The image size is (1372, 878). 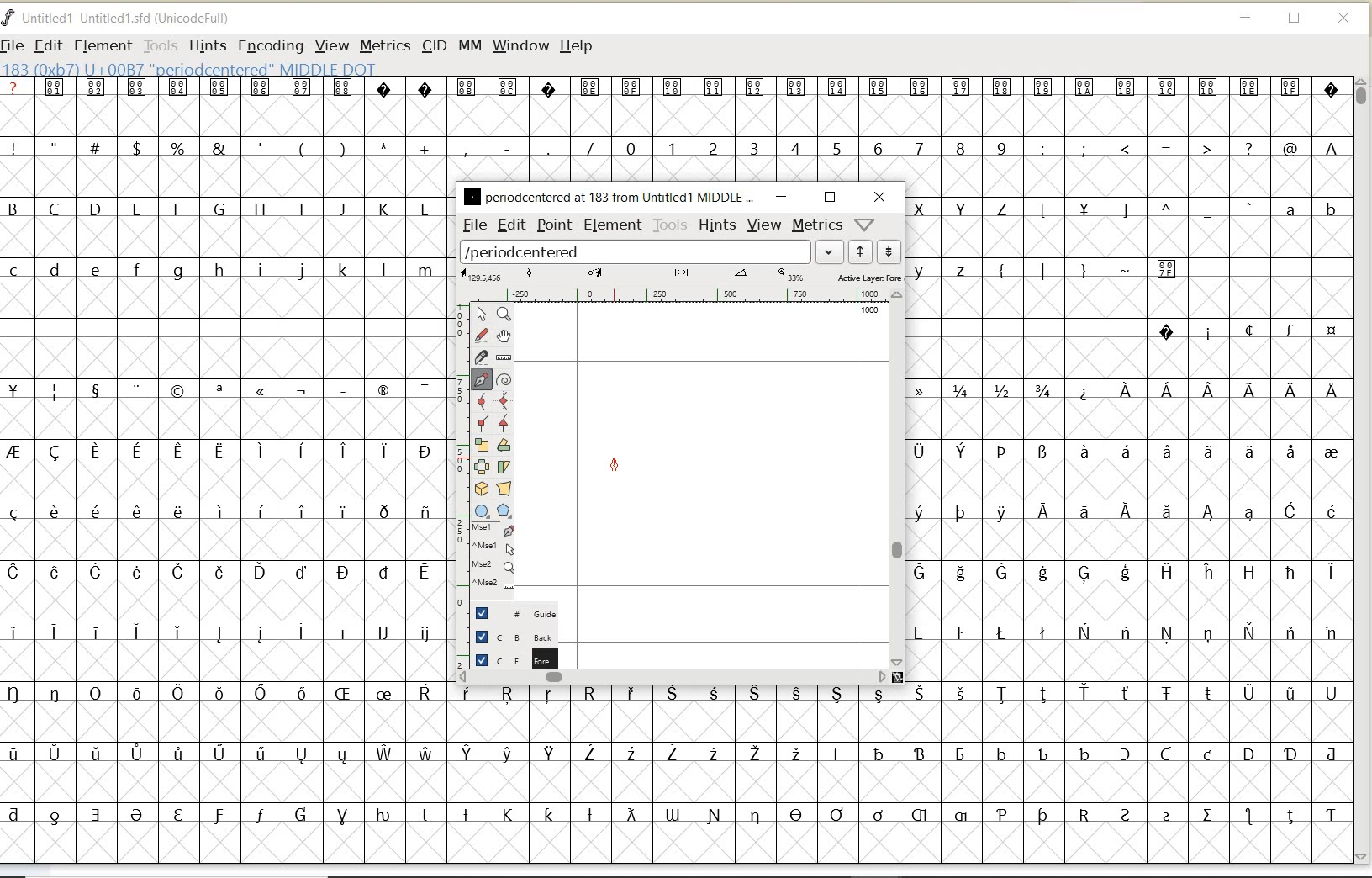 What do you see at coordinates (300, 147) in the screenshot?
I see `special characters` at bounding box center [300, 147].